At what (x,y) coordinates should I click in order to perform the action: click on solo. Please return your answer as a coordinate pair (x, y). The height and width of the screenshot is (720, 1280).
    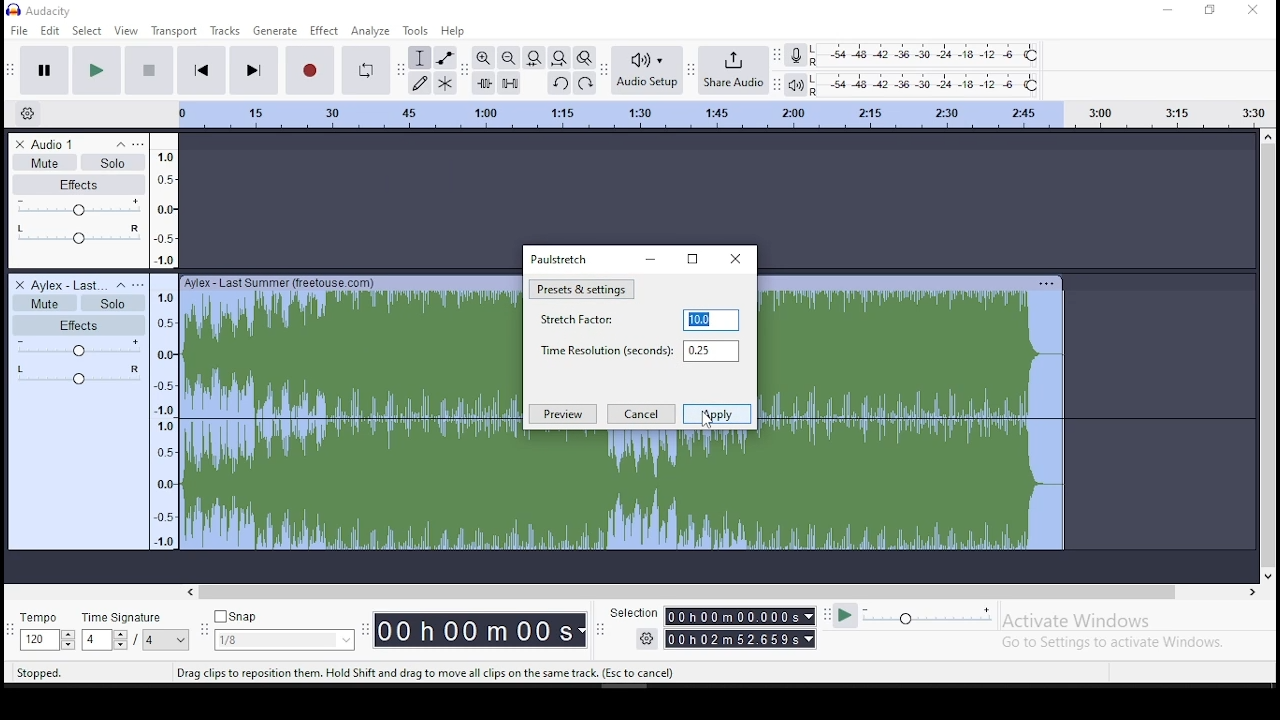
    Looking at the image, I should click on (111, 303).